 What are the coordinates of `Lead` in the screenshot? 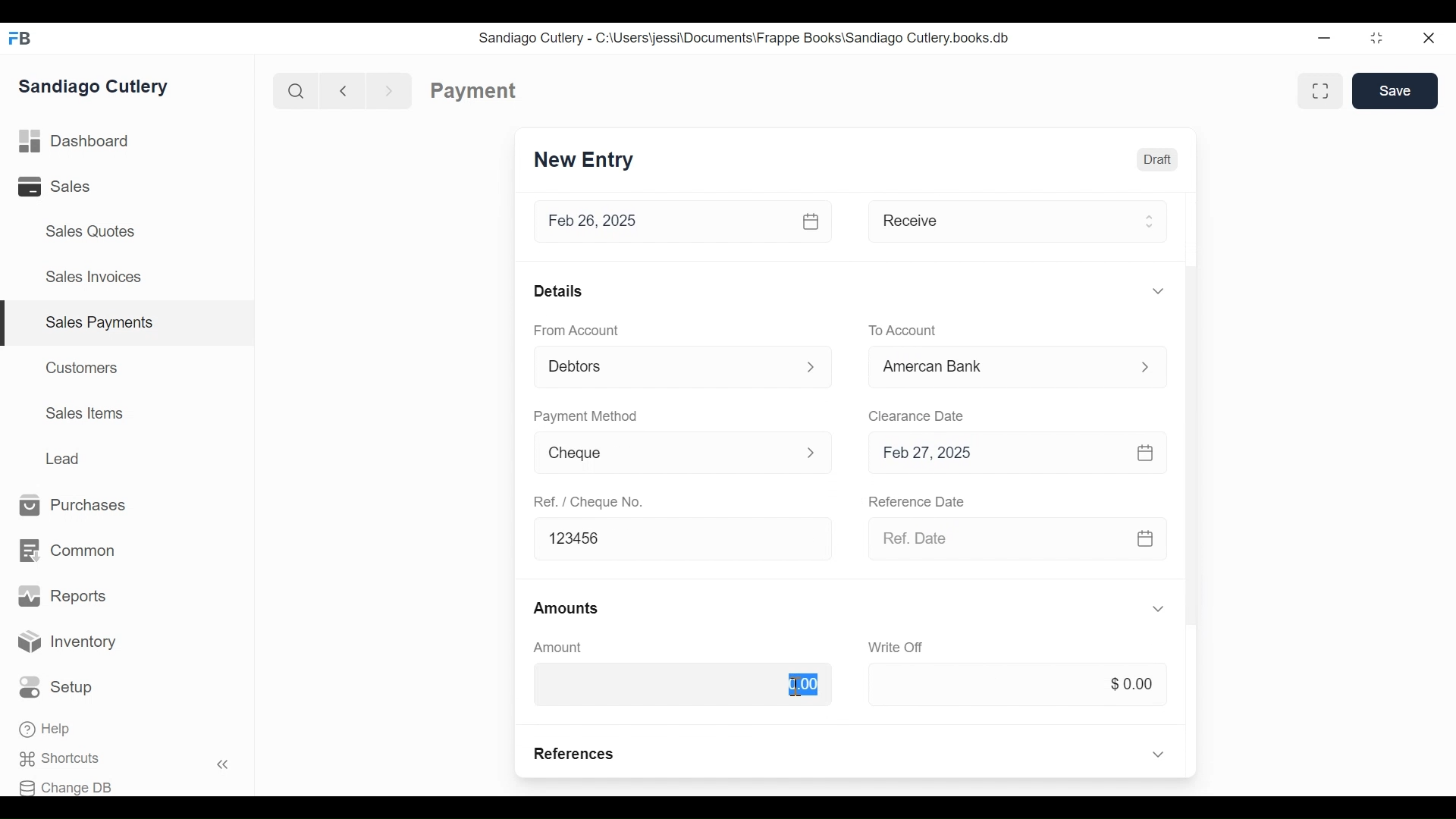 It's located at (65, 457).